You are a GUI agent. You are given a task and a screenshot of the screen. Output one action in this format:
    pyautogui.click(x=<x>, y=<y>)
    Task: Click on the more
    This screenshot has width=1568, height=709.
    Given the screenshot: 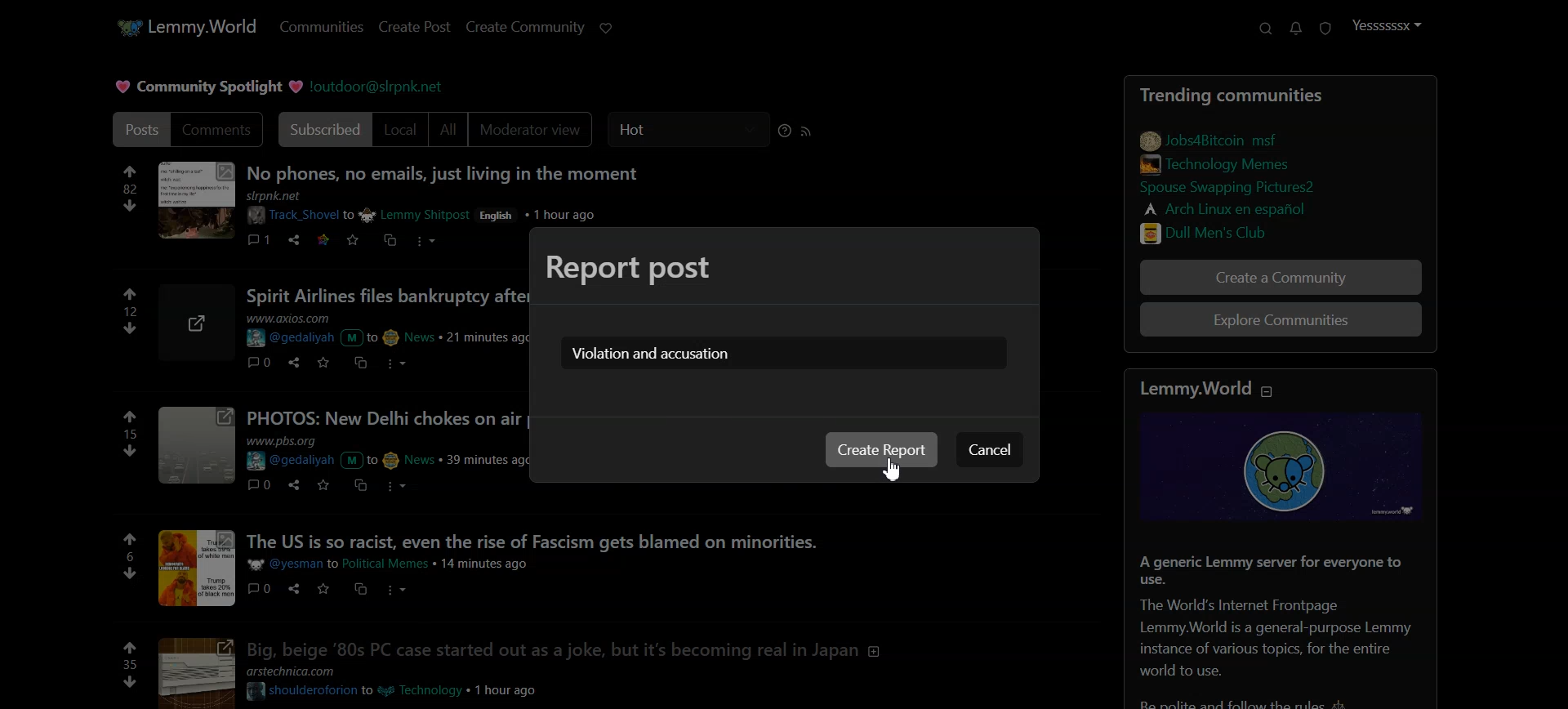 What is the action you would take?
    pyautogui.click(x=401, y=486)
    